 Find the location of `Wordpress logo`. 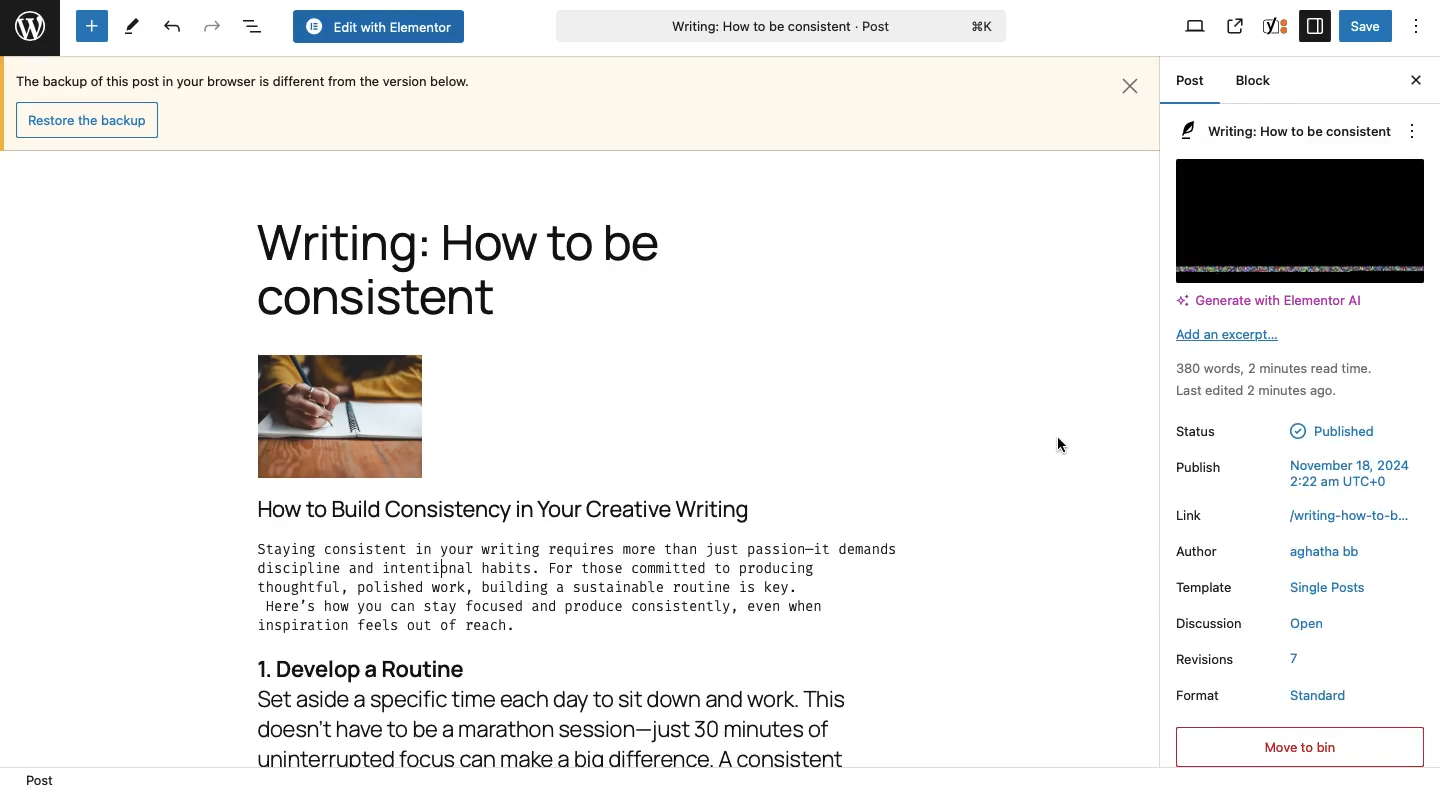

Wordpress logo is located at coordinates (28, 23).